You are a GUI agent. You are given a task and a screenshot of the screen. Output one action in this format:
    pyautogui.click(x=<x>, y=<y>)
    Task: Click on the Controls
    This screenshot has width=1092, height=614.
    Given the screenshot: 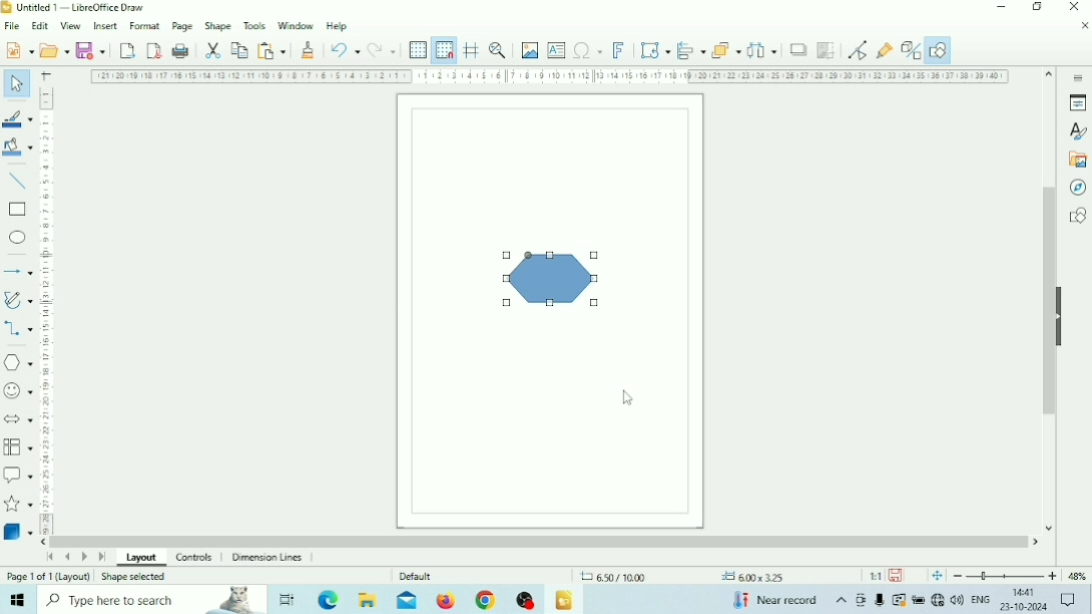 What is the action you would take?
    pyautogui.click(x=196, y=558)
    